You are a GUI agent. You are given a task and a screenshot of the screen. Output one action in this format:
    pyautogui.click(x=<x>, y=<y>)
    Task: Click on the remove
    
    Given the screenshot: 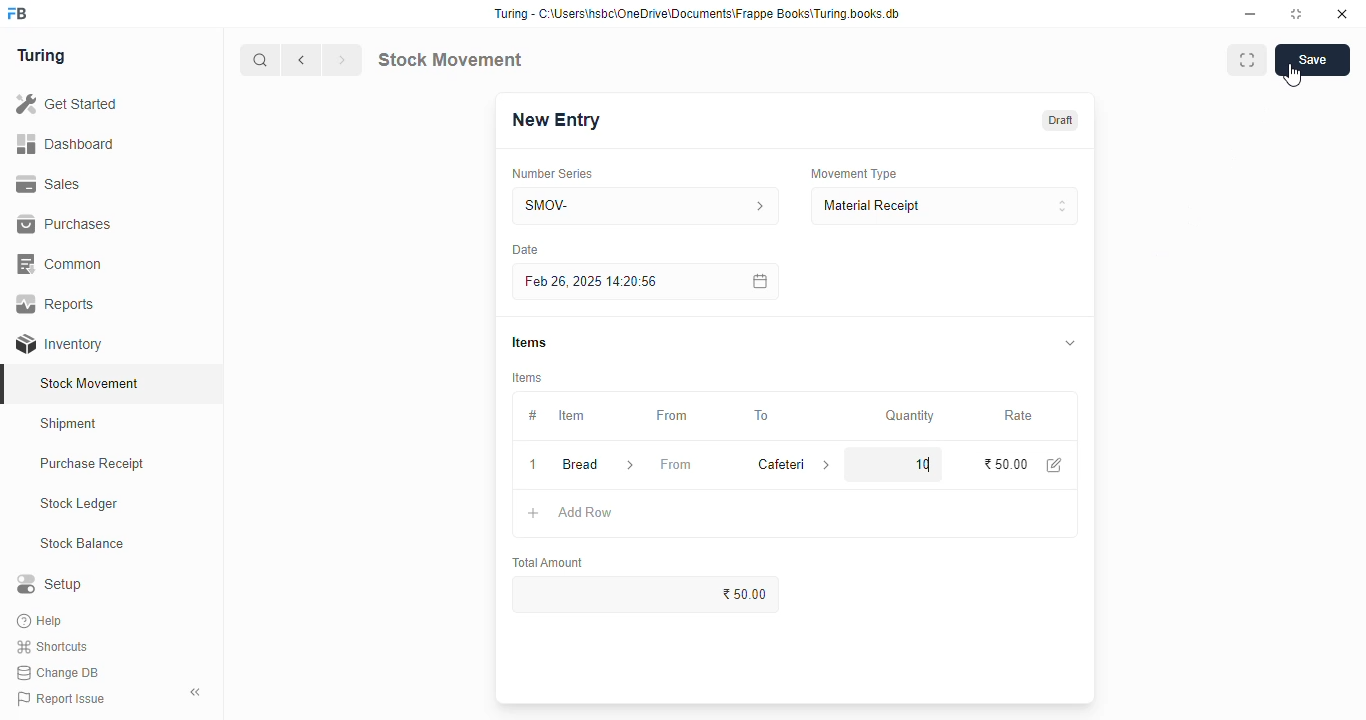 What is the action you would take?
    pyautogui.click(x=533, y=466)
    